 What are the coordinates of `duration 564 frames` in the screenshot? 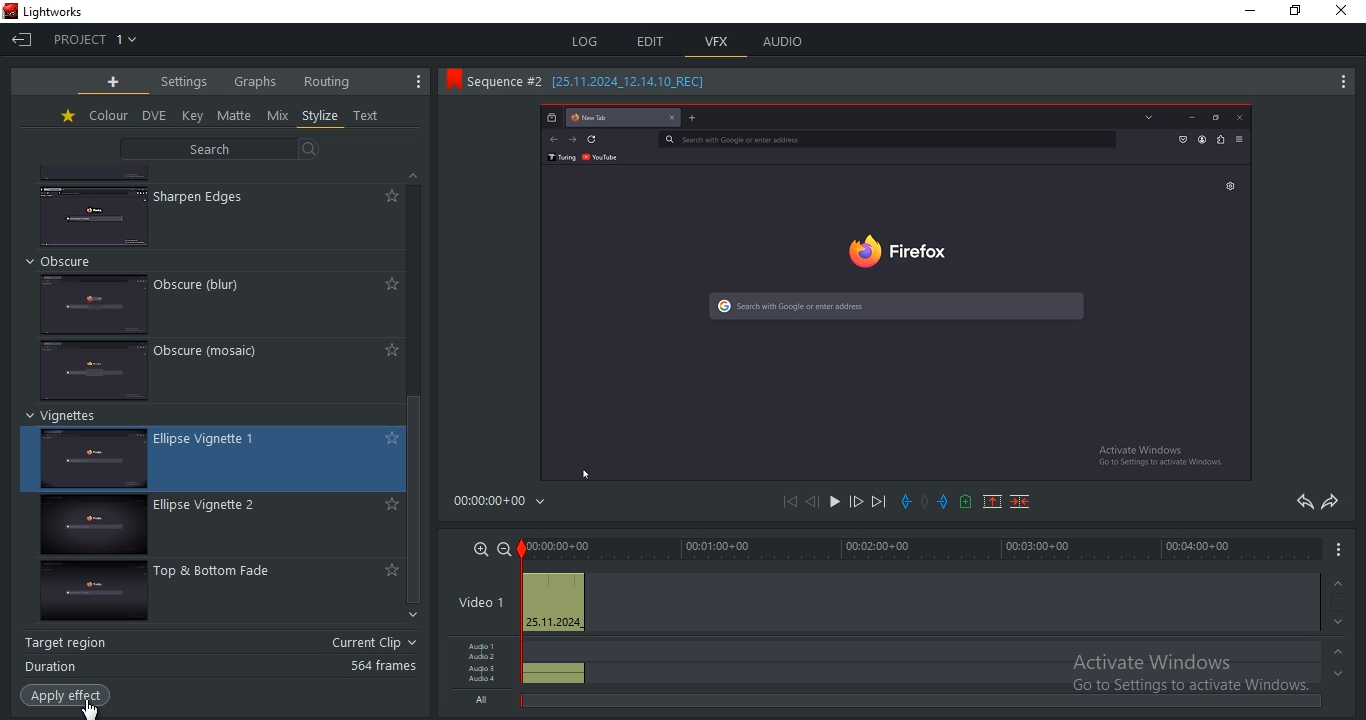 It's located at (219, 668).